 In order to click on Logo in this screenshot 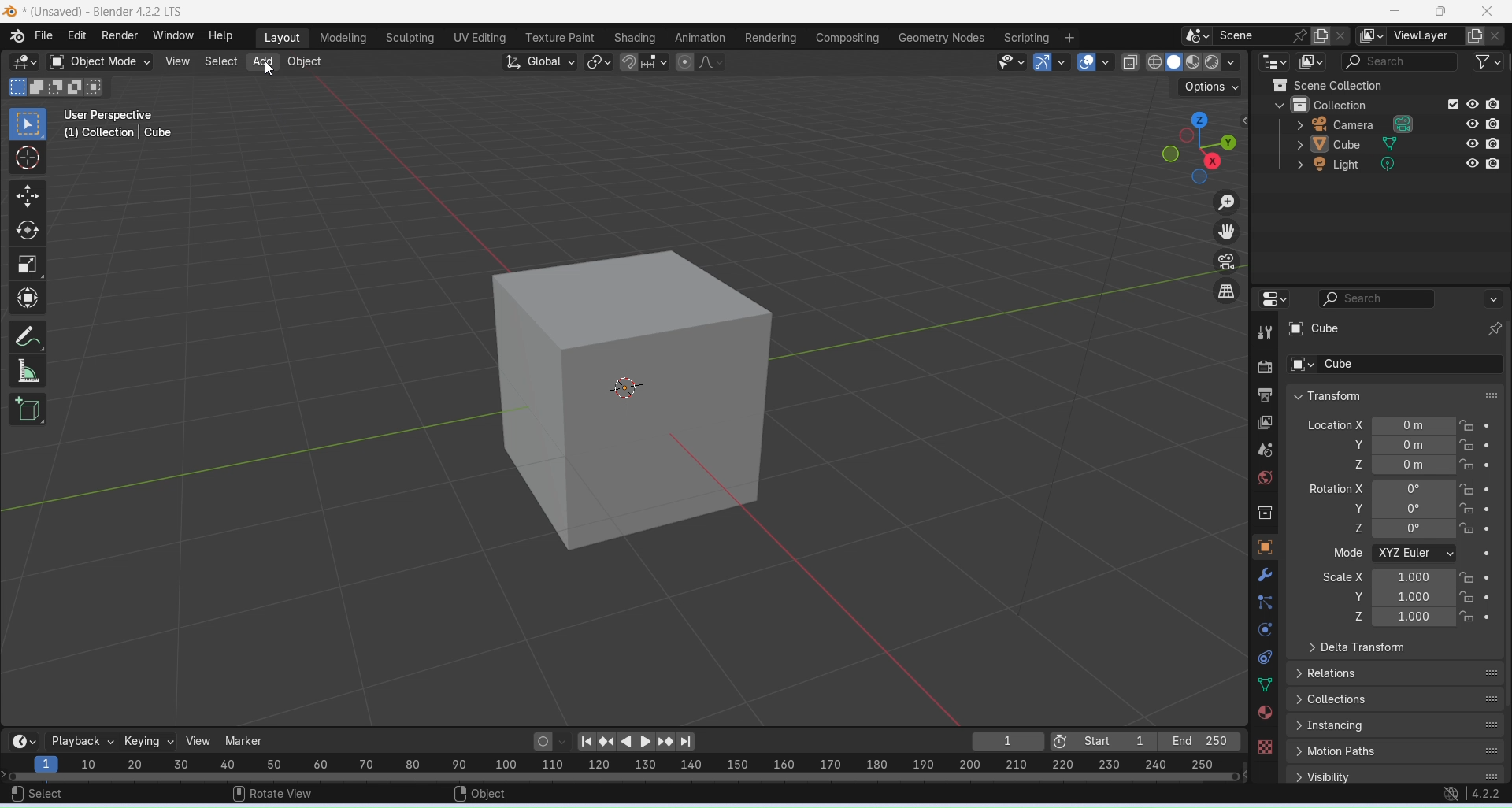, I will do `click(16, 37)`.